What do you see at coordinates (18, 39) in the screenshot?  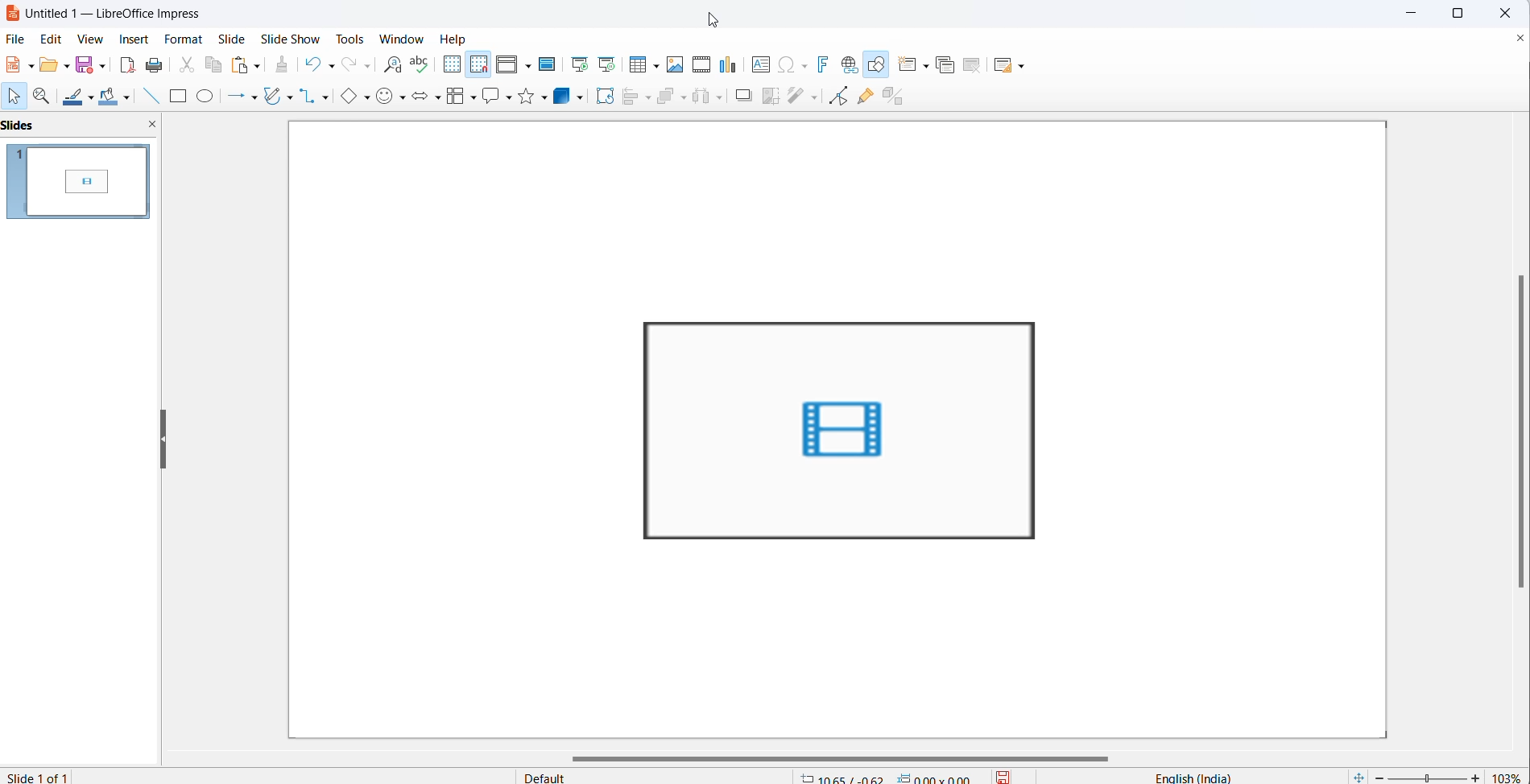 I see `file` at bounding box center [18, 39].